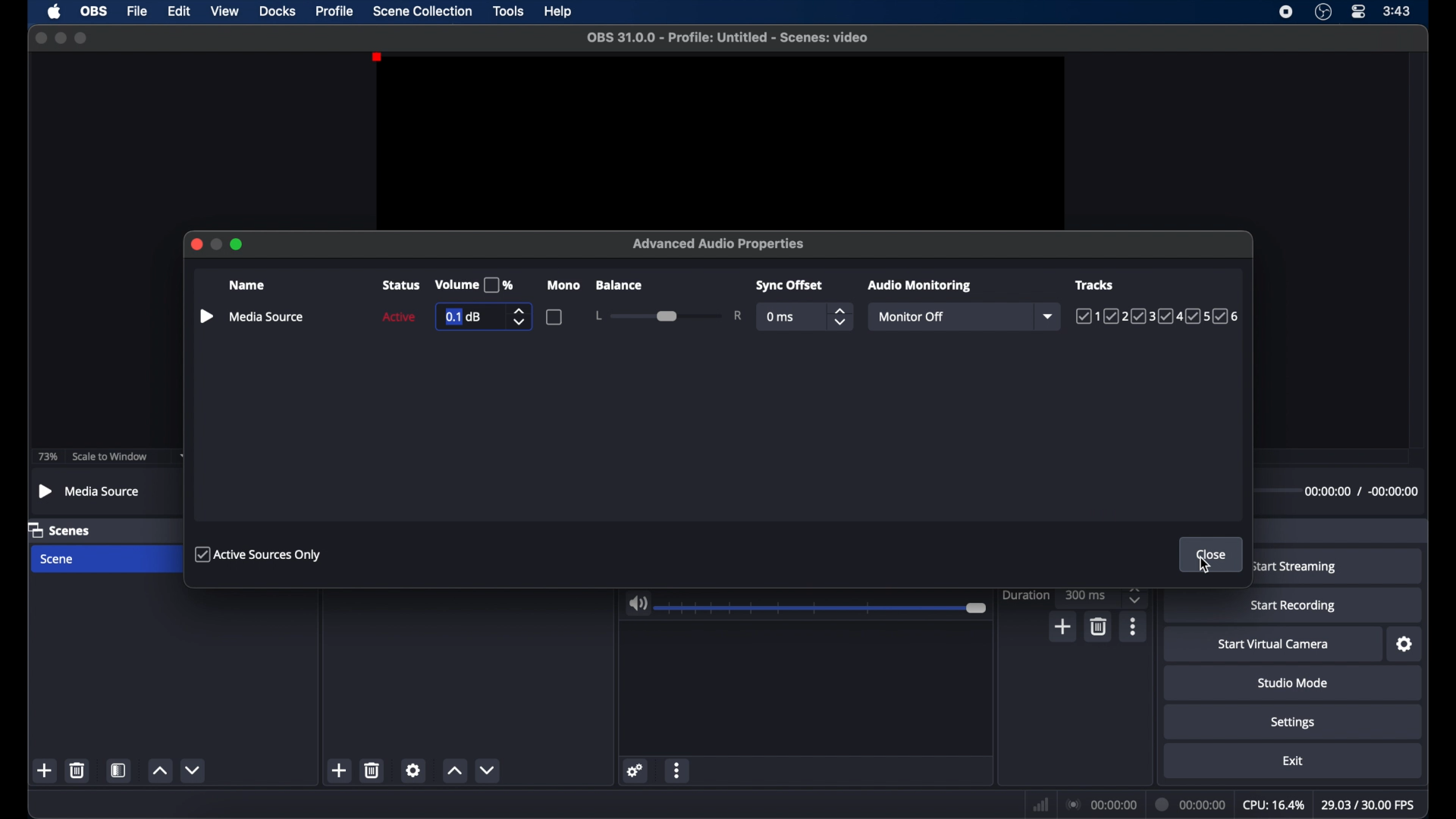  I want to click on delete, so click(373, 770).